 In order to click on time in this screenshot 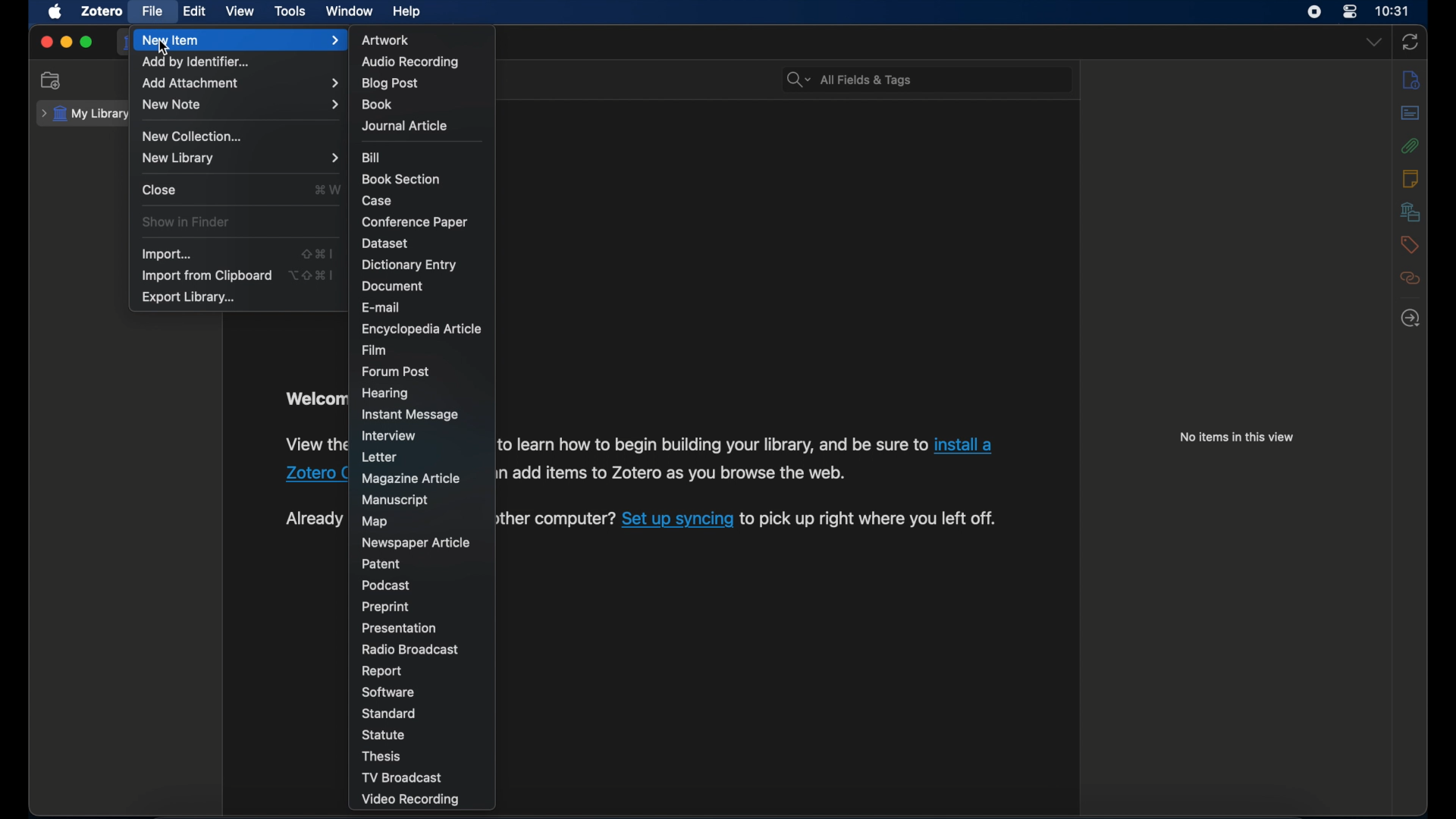, I will do `click(1393, 11)`.